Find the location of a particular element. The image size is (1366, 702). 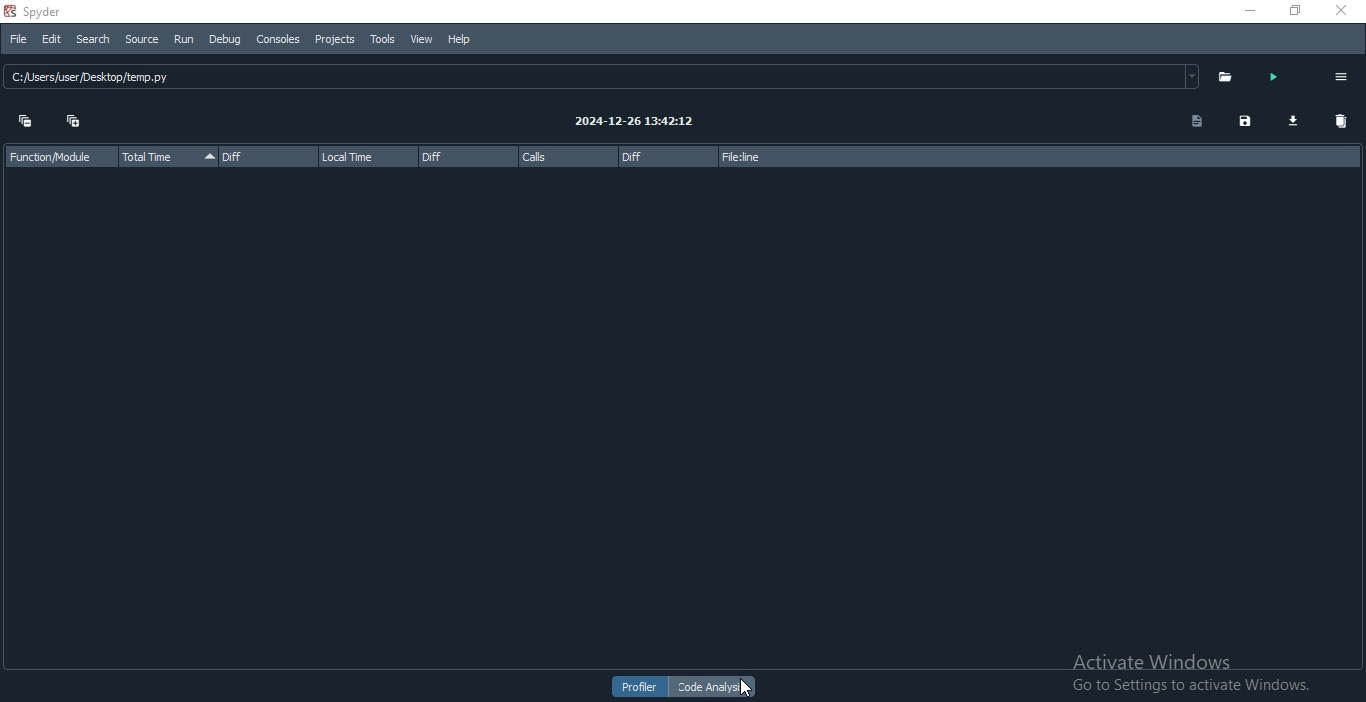

document is located at coordinates (1193, 123).